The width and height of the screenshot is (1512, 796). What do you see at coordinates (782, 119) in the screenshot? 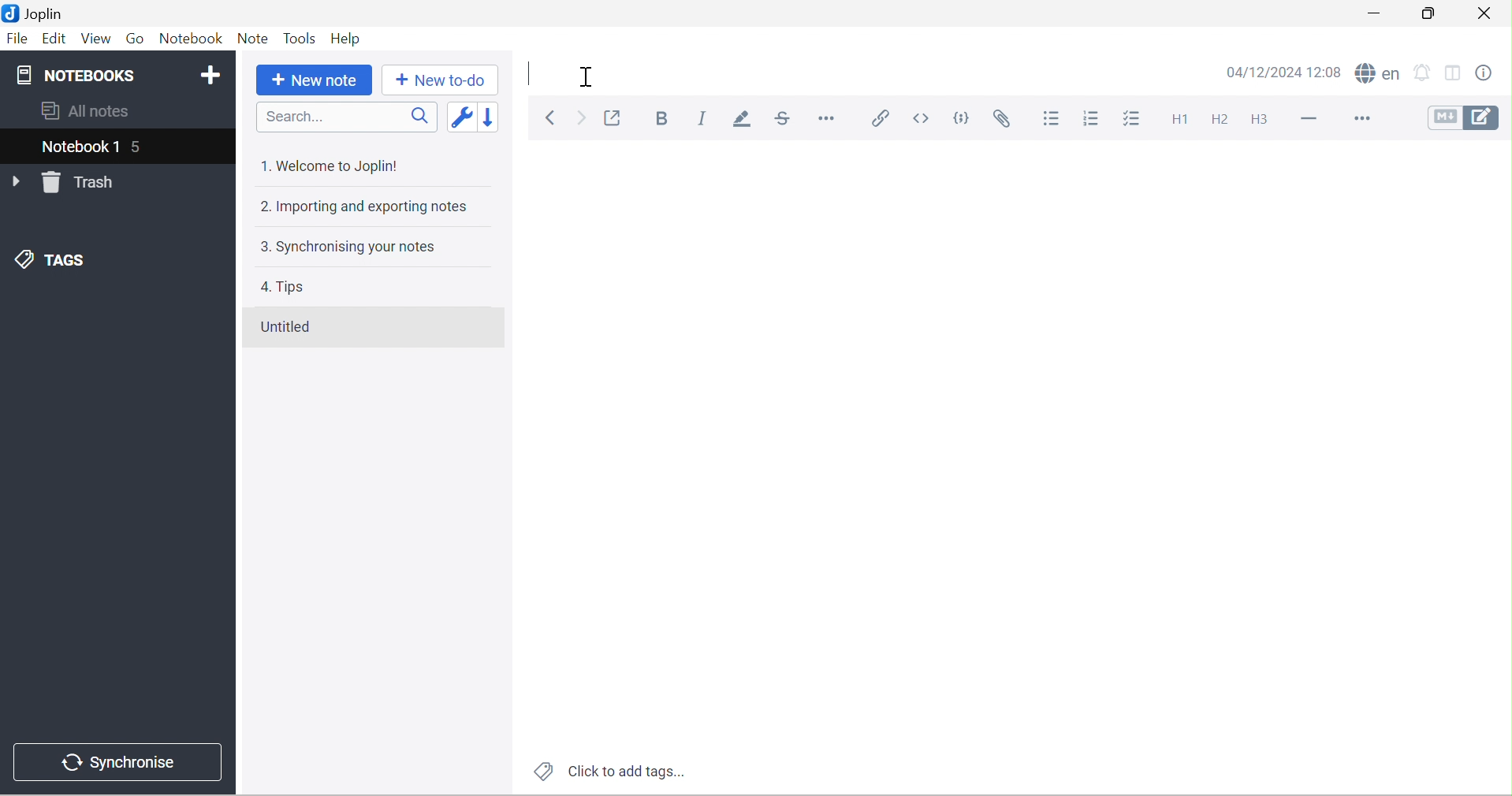
I see `Strikethrough` at bounding box center [782, 119].